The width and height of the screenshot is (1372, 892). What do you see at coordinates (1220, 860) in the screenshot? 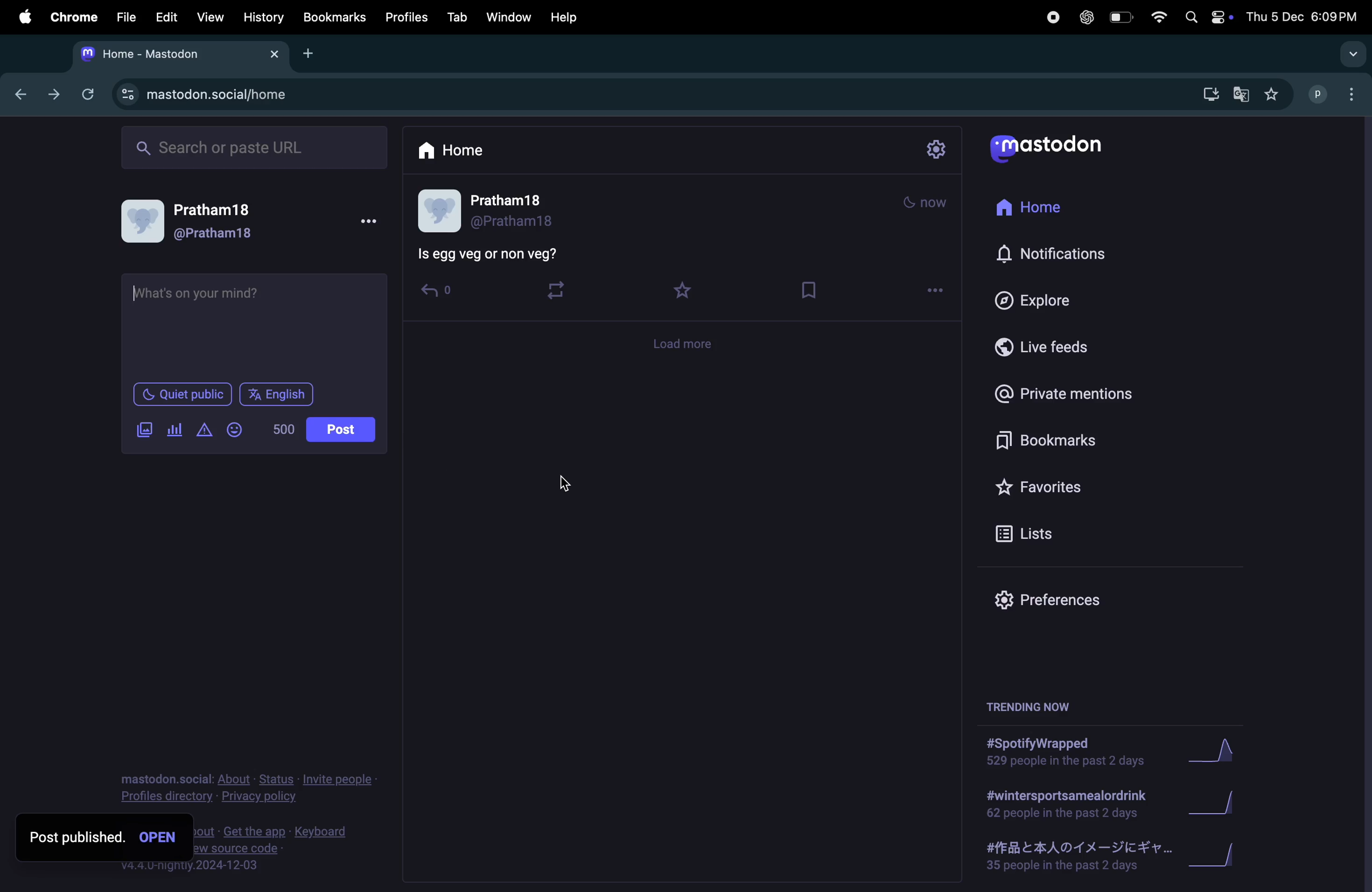
I see `graph` at bounding box center [1220, 860].